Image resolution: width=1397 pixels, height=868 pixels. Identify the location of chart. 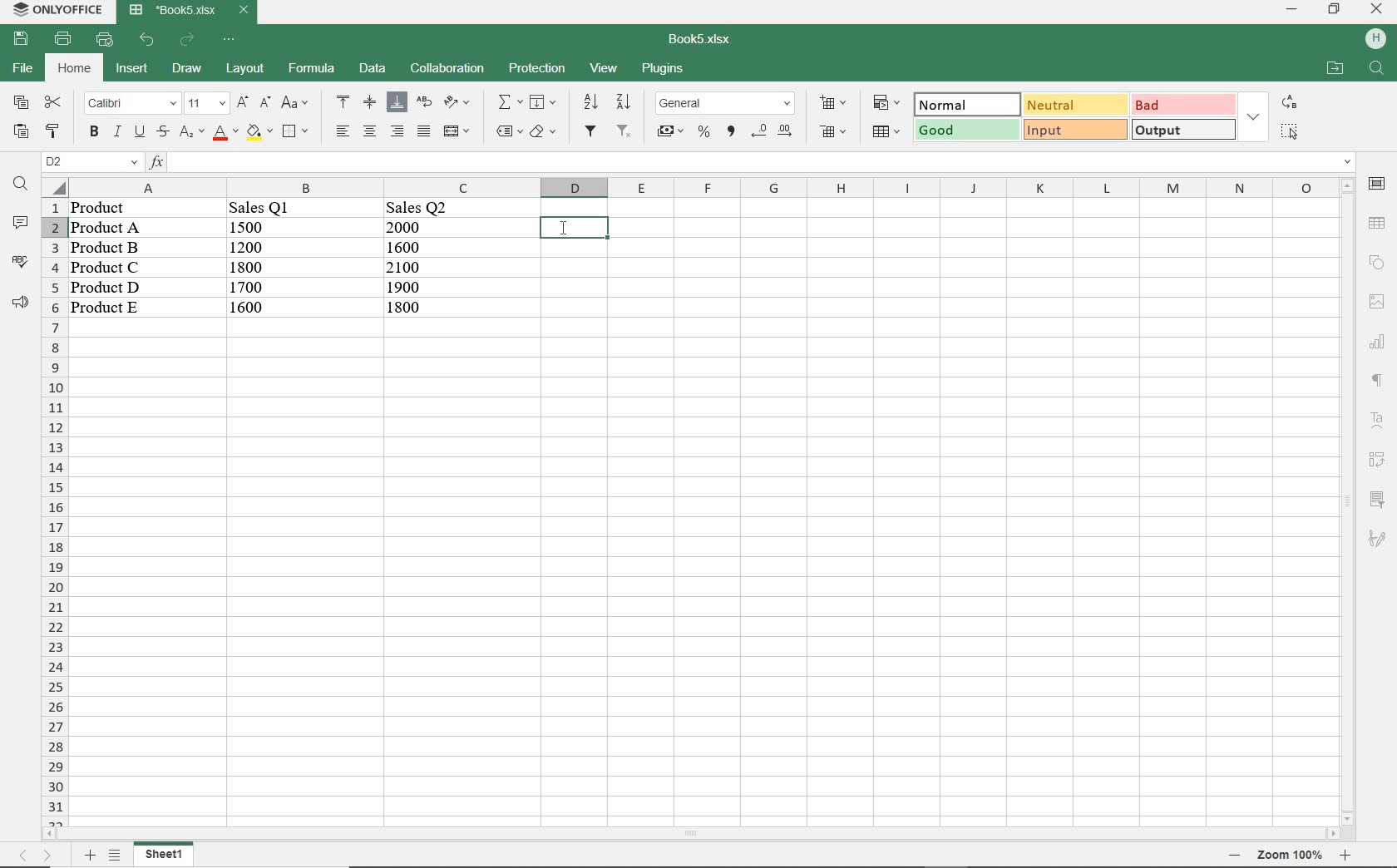
(1377, 341).